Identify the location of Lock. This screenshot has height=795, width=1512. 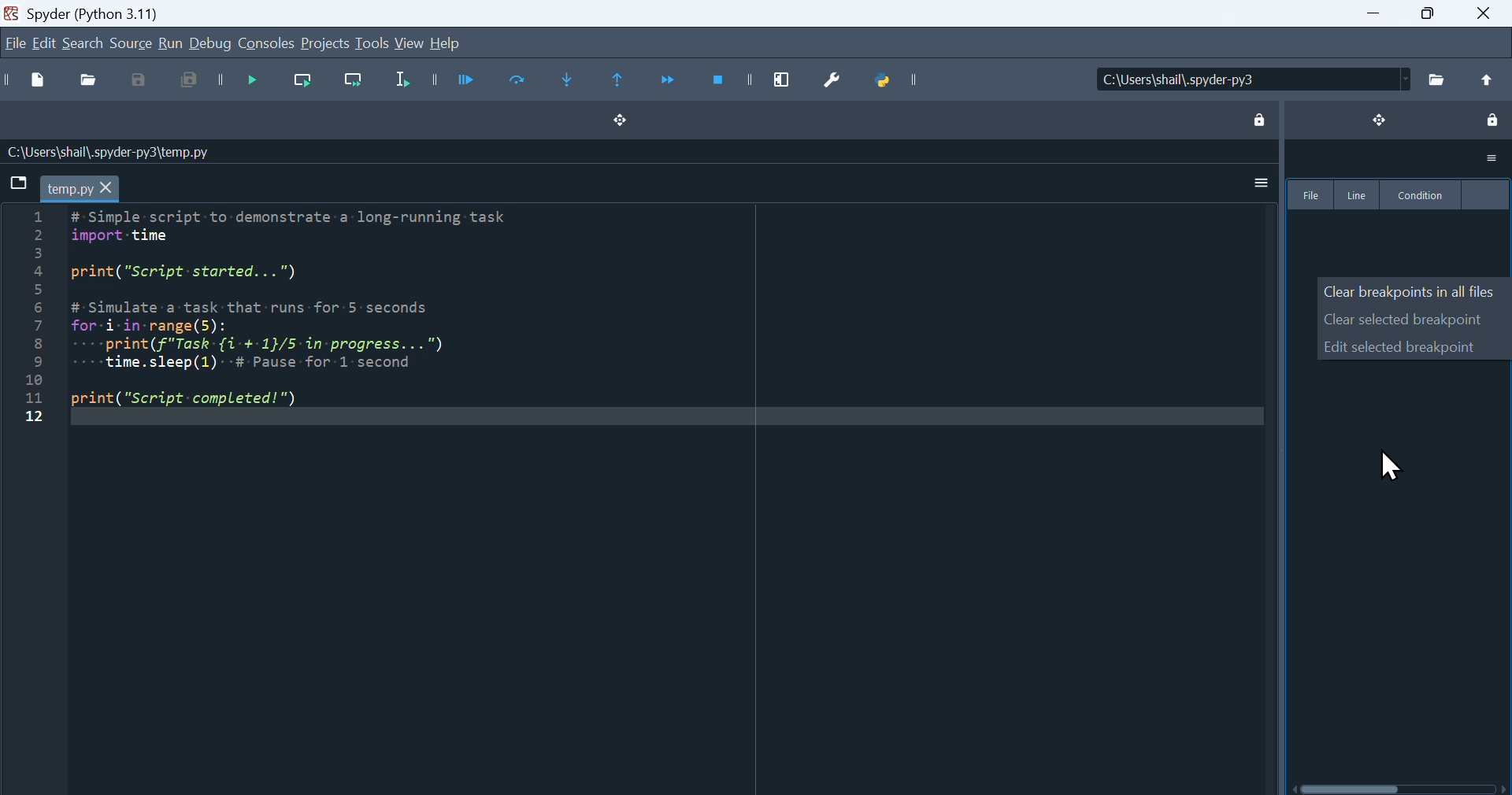
(1260, 122).